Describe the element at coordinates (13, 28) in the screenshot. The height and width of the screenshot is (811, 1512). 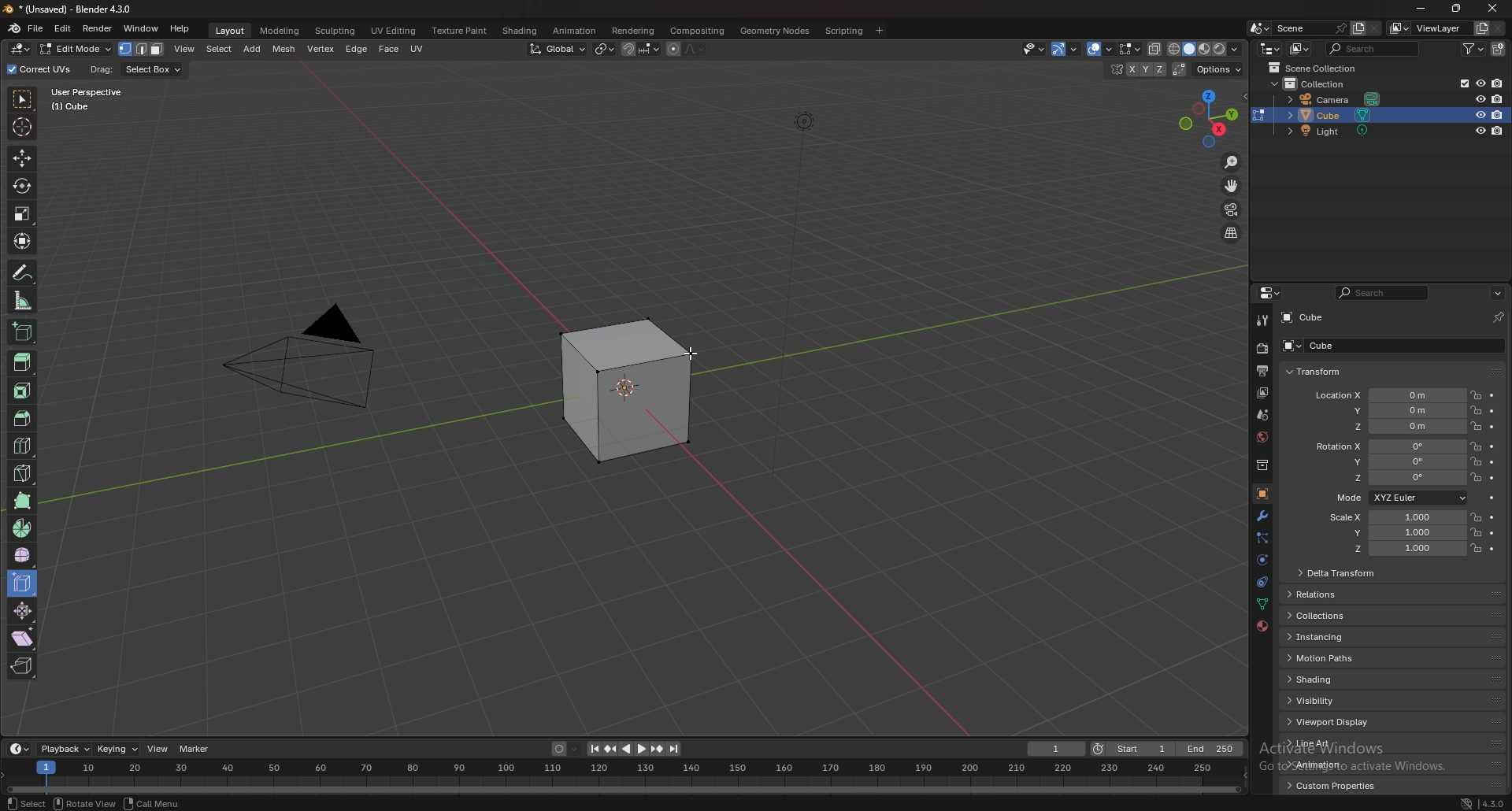
I see `blender` at that location.